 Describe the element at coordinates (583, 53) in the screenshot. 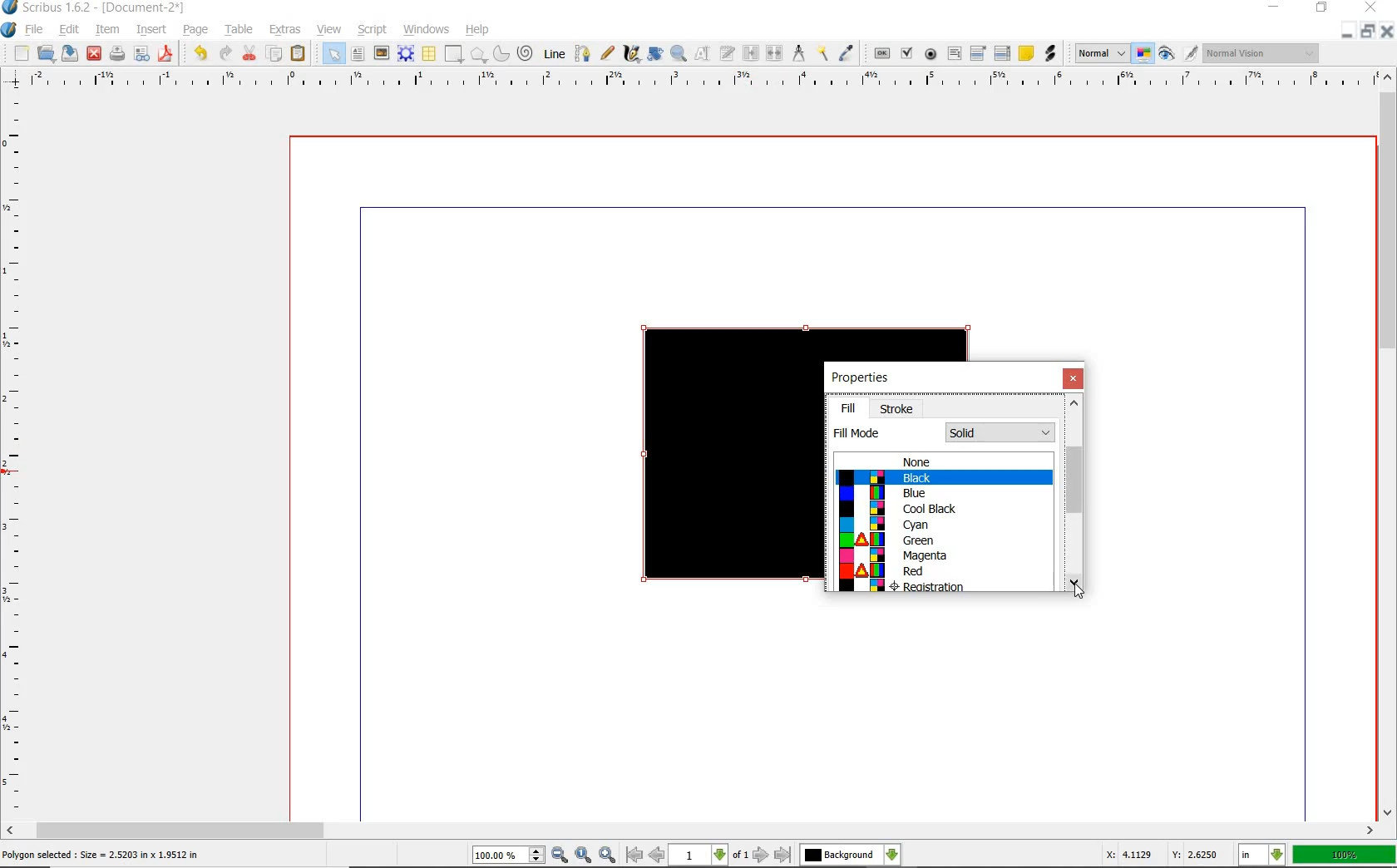

I see `bezier curve` at that location.